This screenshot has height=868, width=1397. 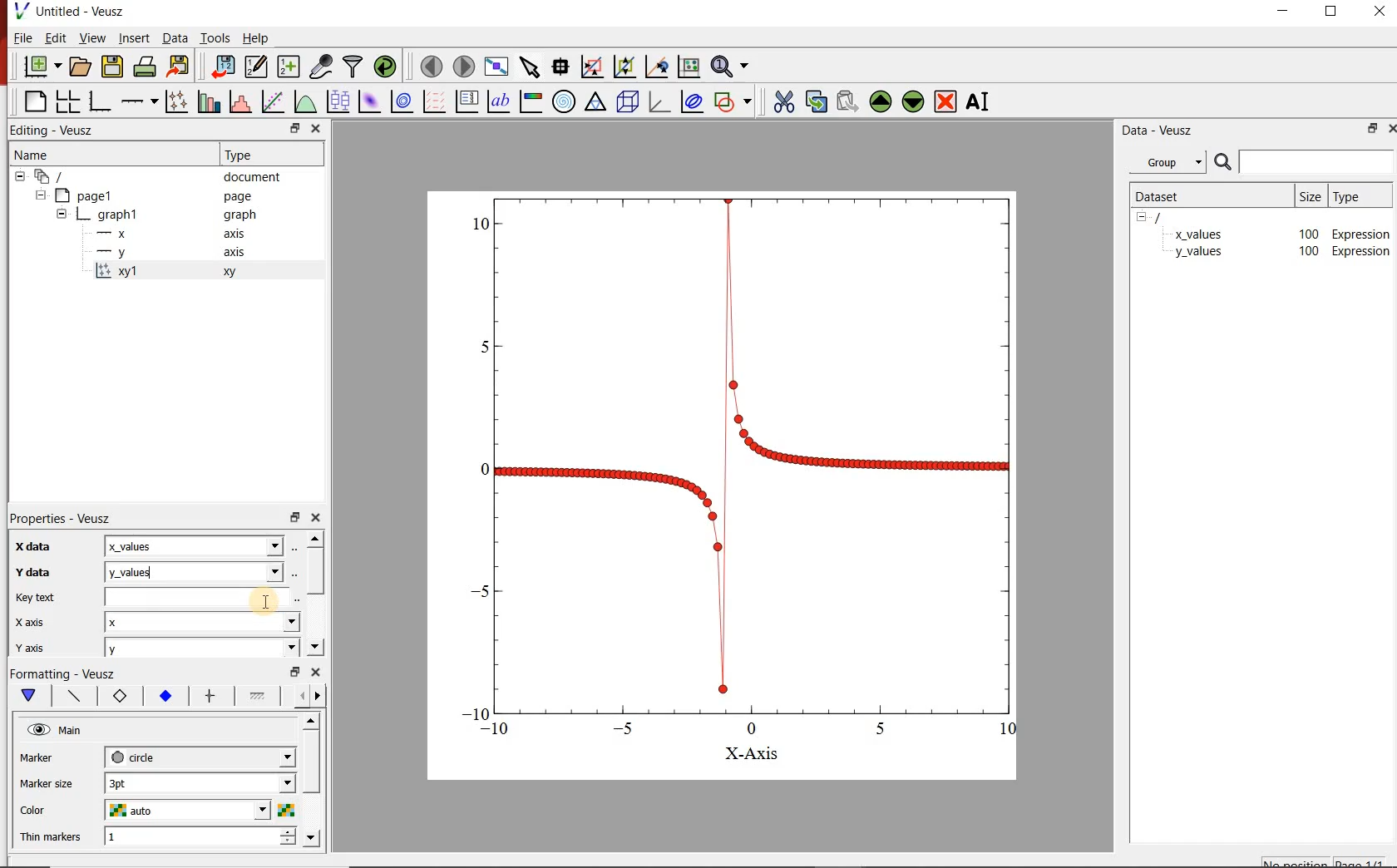 I want to click on copy the selected widget, so click(x=815, y=102).